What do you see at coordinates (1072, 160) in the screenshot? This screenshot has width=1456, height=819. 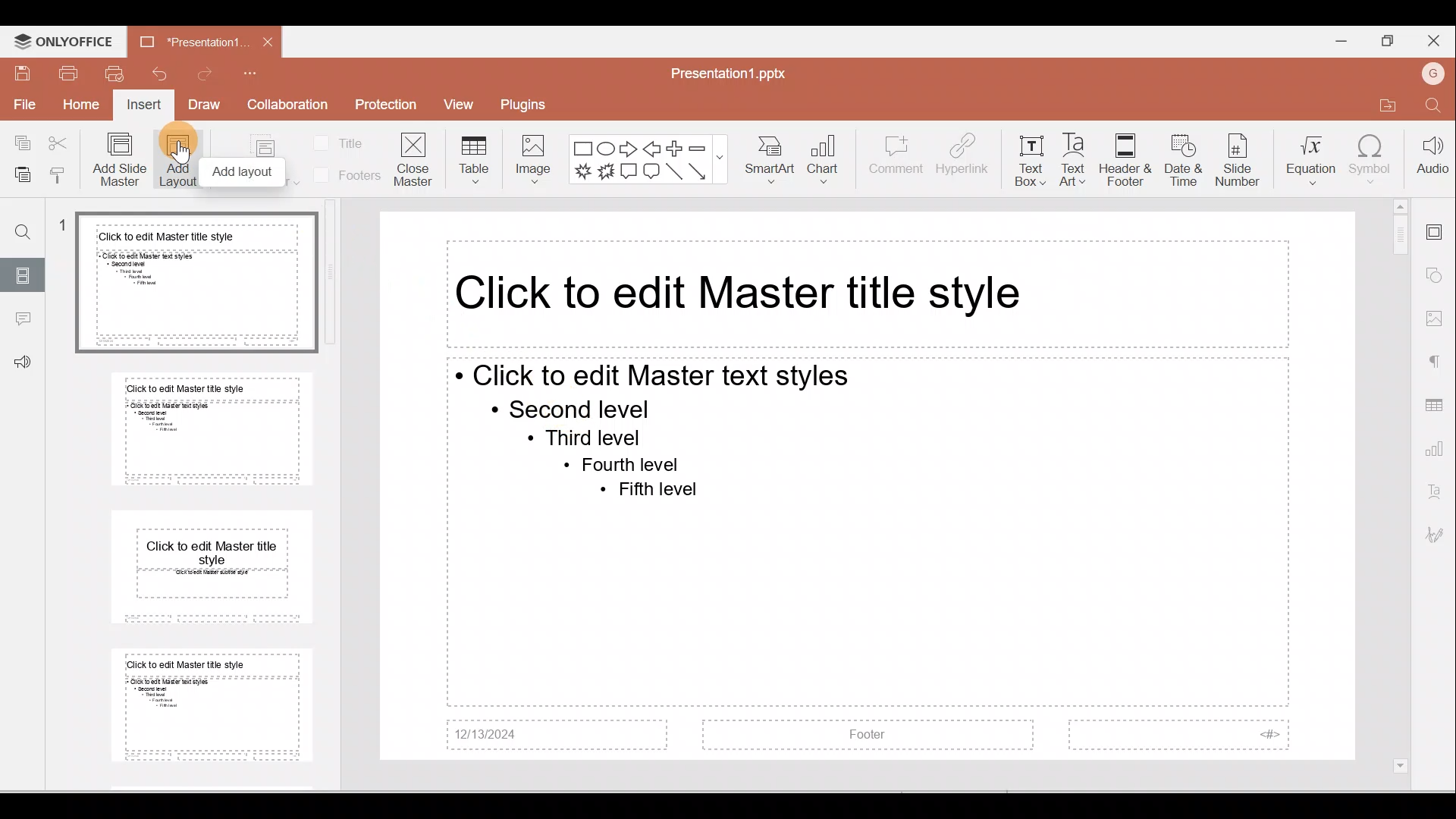 I see `Text Art` at bounding box center [1072, 160].